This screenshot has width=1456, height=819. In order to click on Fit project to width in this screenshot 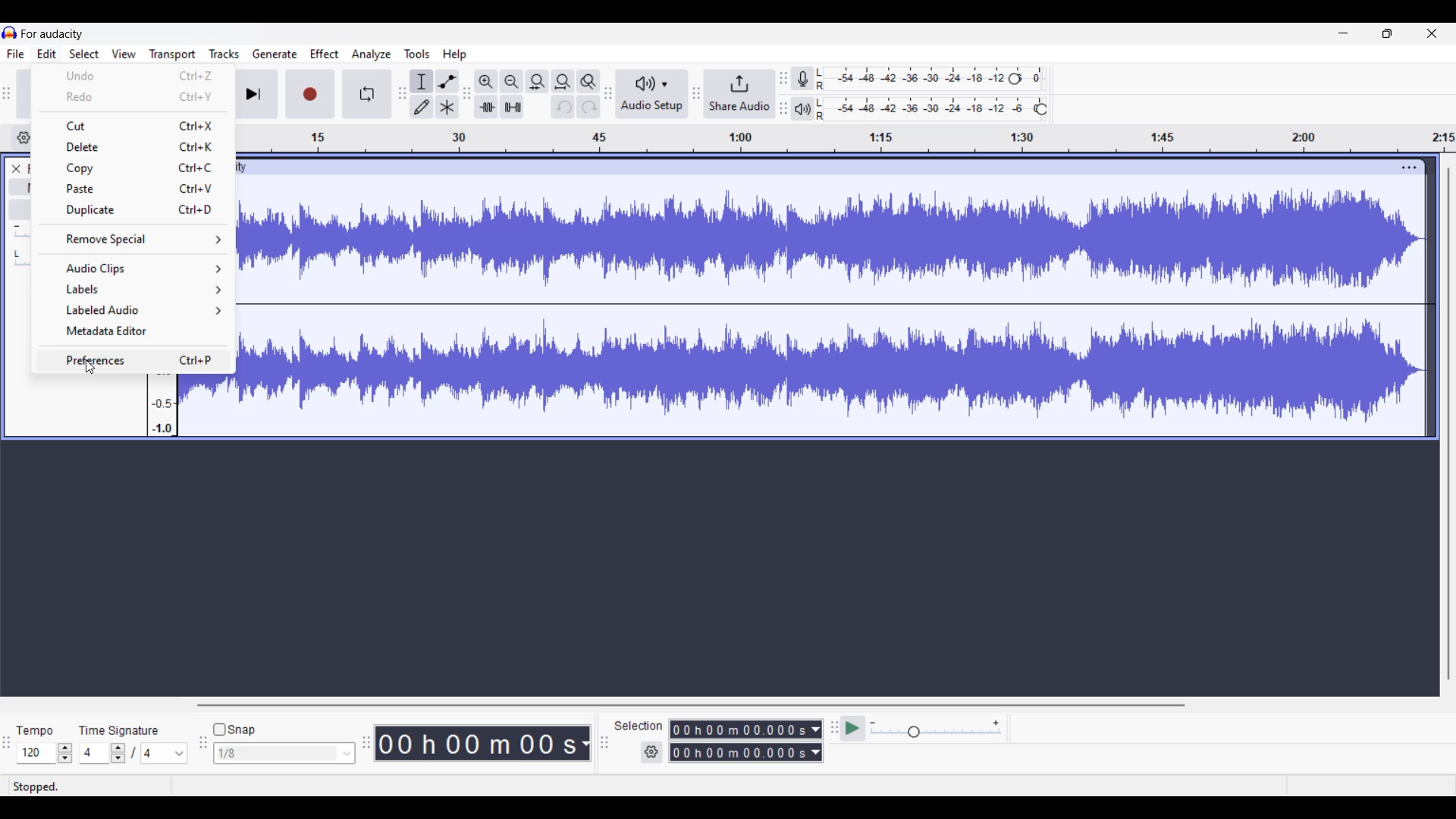, I will do `click(563, 82)`.